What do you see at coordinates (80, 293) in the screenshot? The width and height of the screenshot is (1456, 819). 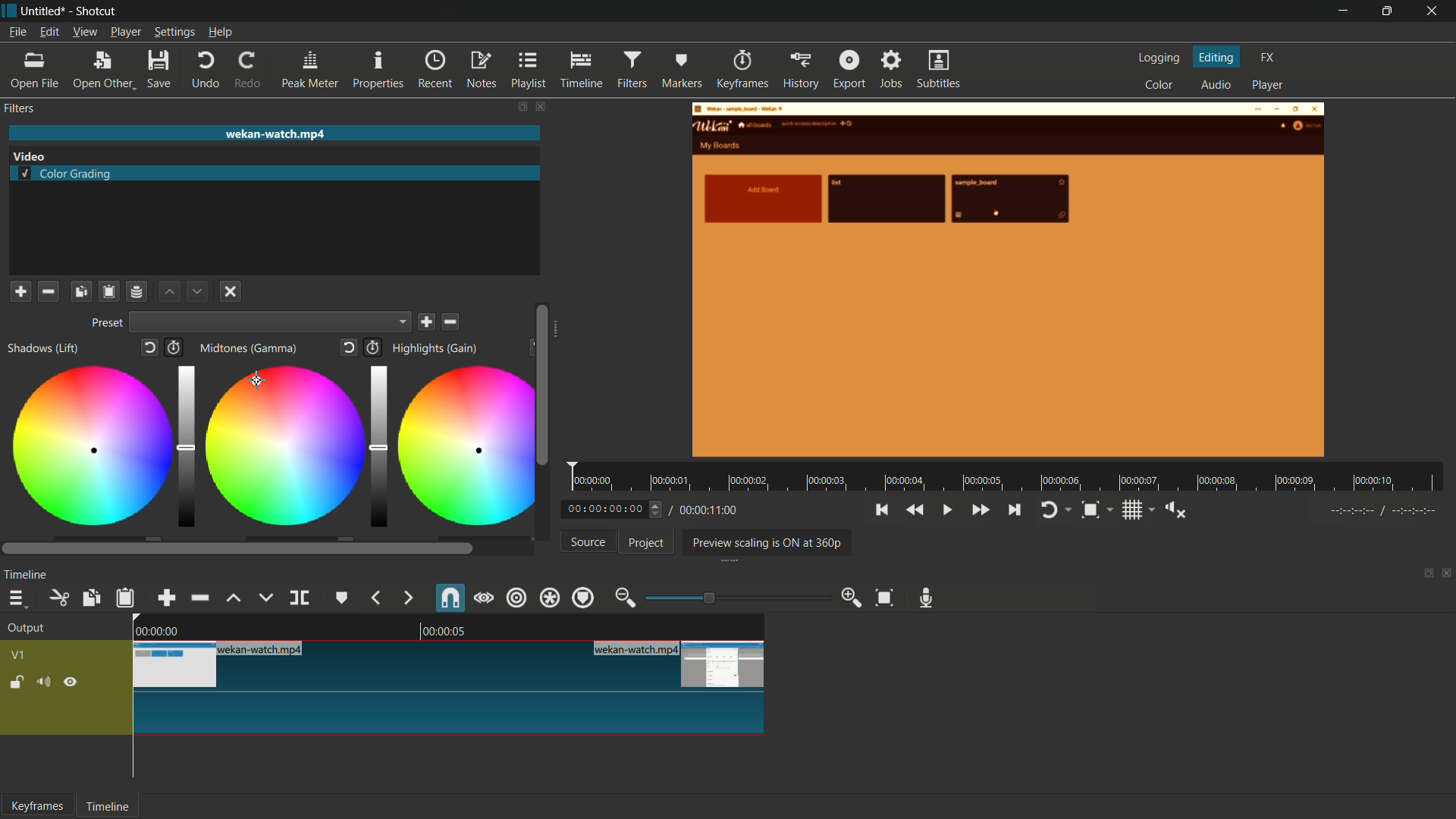 I see `copy checked filters` at bounding box center [80, 293].